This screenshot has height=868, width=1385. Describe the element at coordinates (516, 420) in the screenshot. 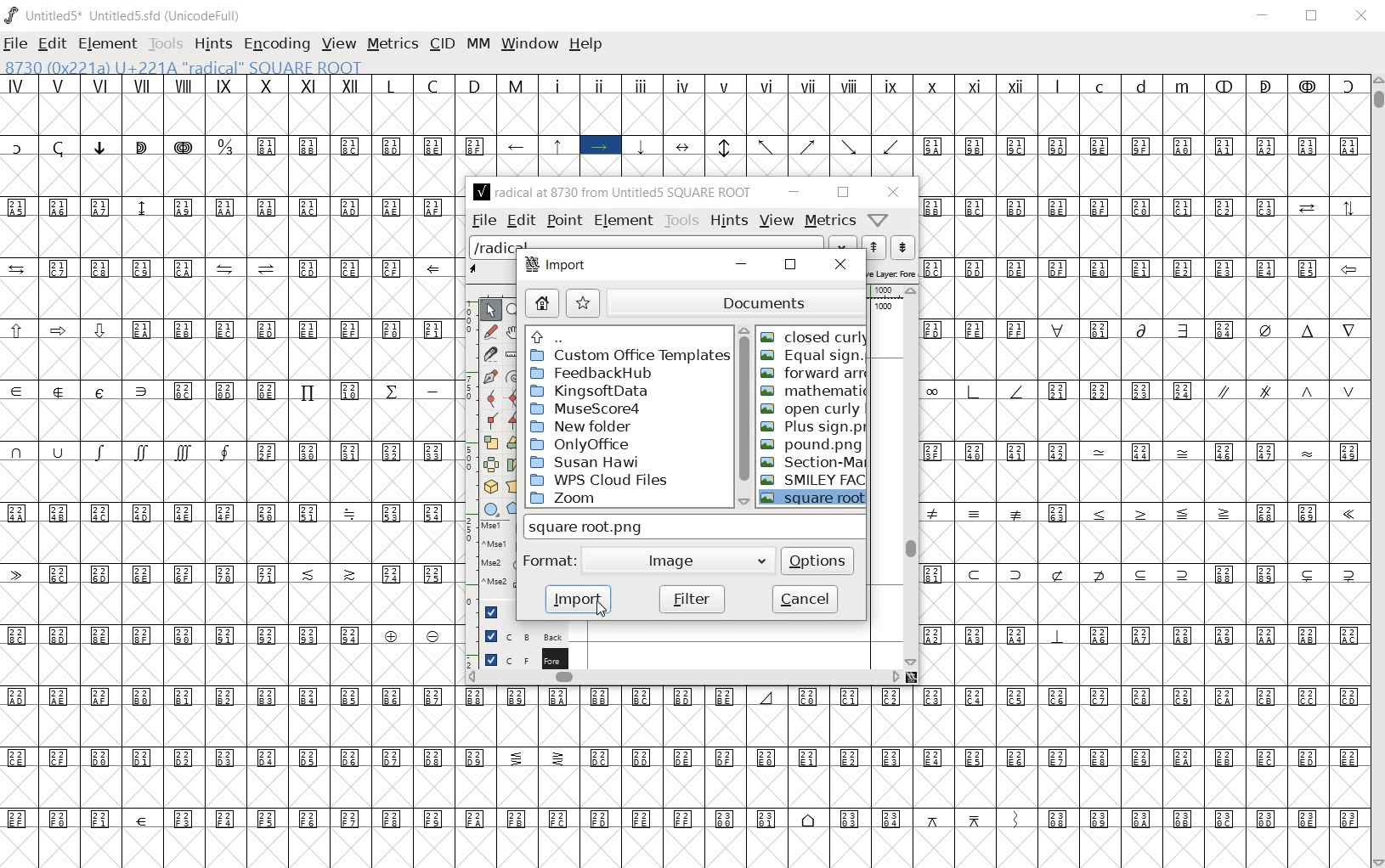

I see `Add a corner point` at that location.